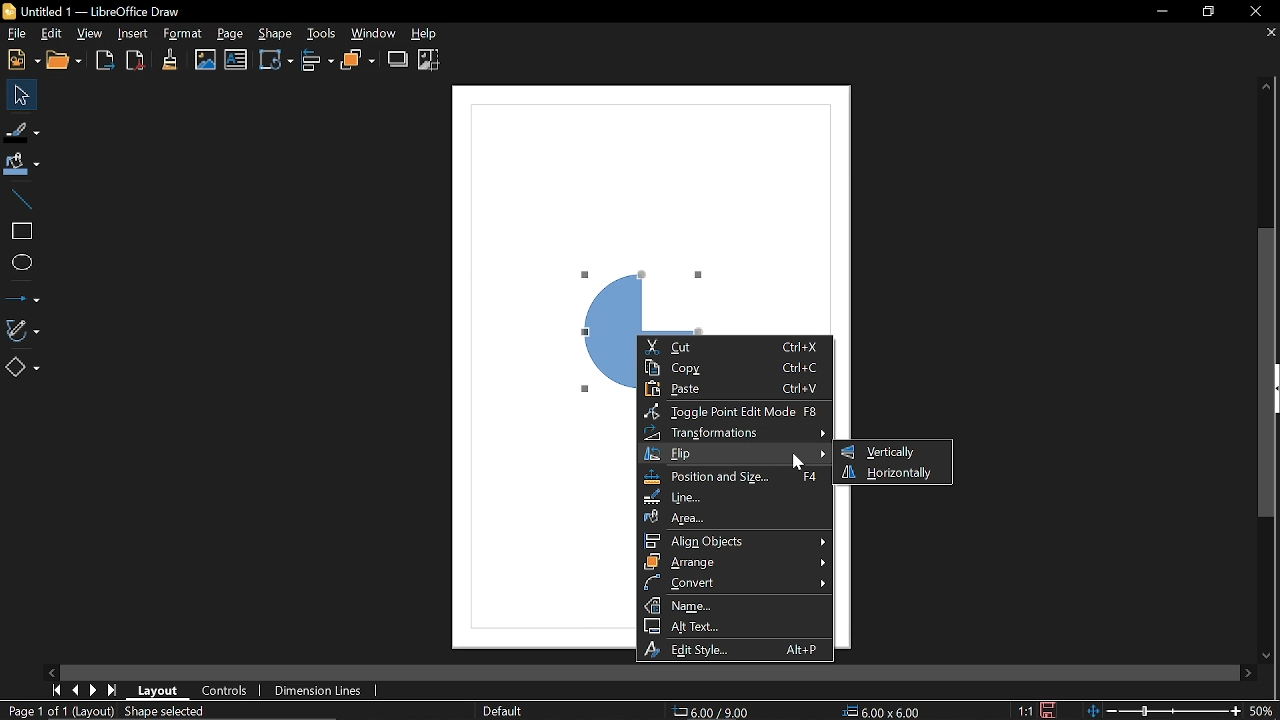  Describe the element at coordinates (736, 541) in the screenshot. I see `Allign object` at that location.